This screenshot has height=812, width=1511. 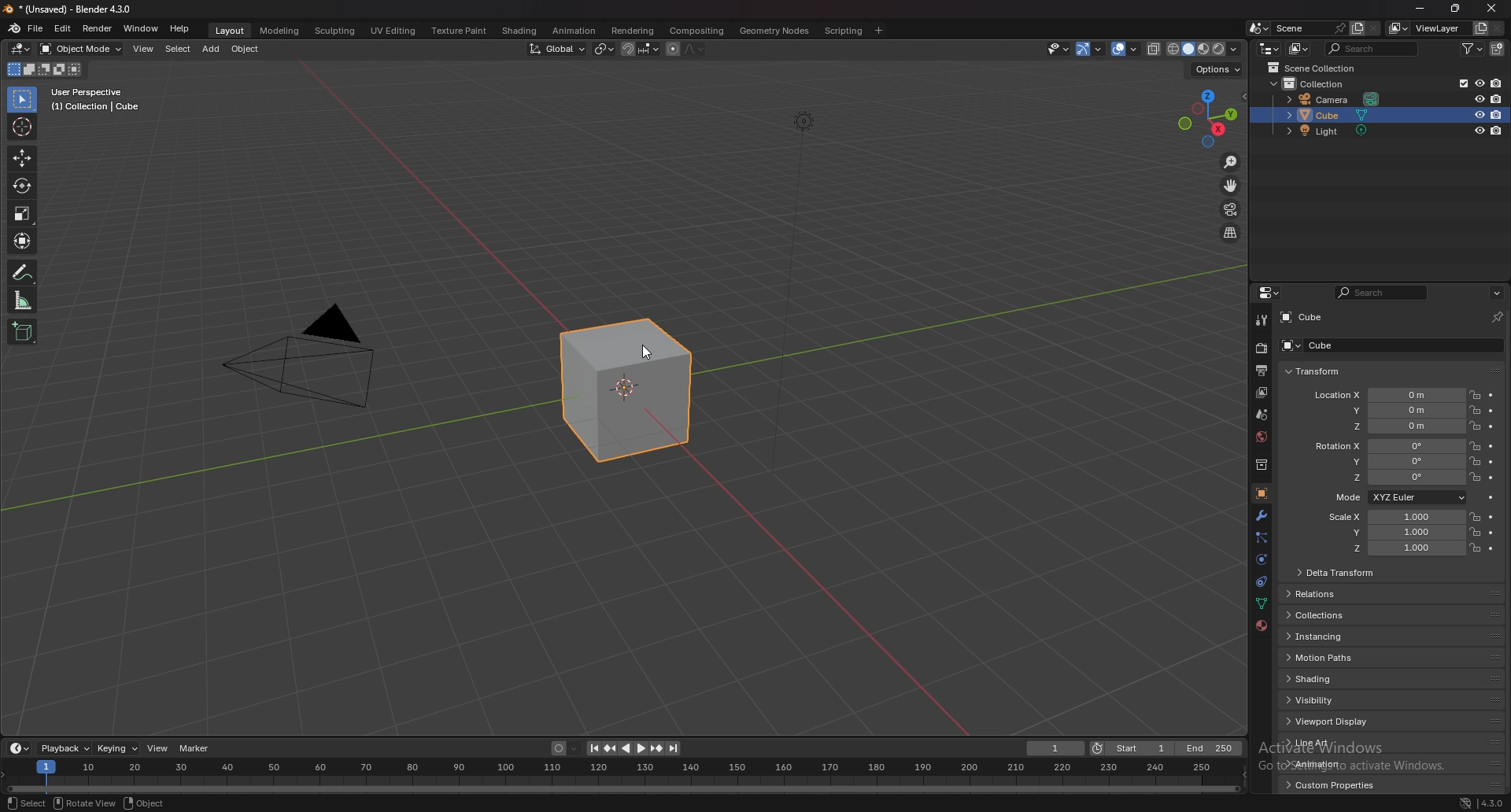 What do you see at coordinates (1493, 549) in the screenshot?
I see `animate property` at bounding box center [1493, 549].